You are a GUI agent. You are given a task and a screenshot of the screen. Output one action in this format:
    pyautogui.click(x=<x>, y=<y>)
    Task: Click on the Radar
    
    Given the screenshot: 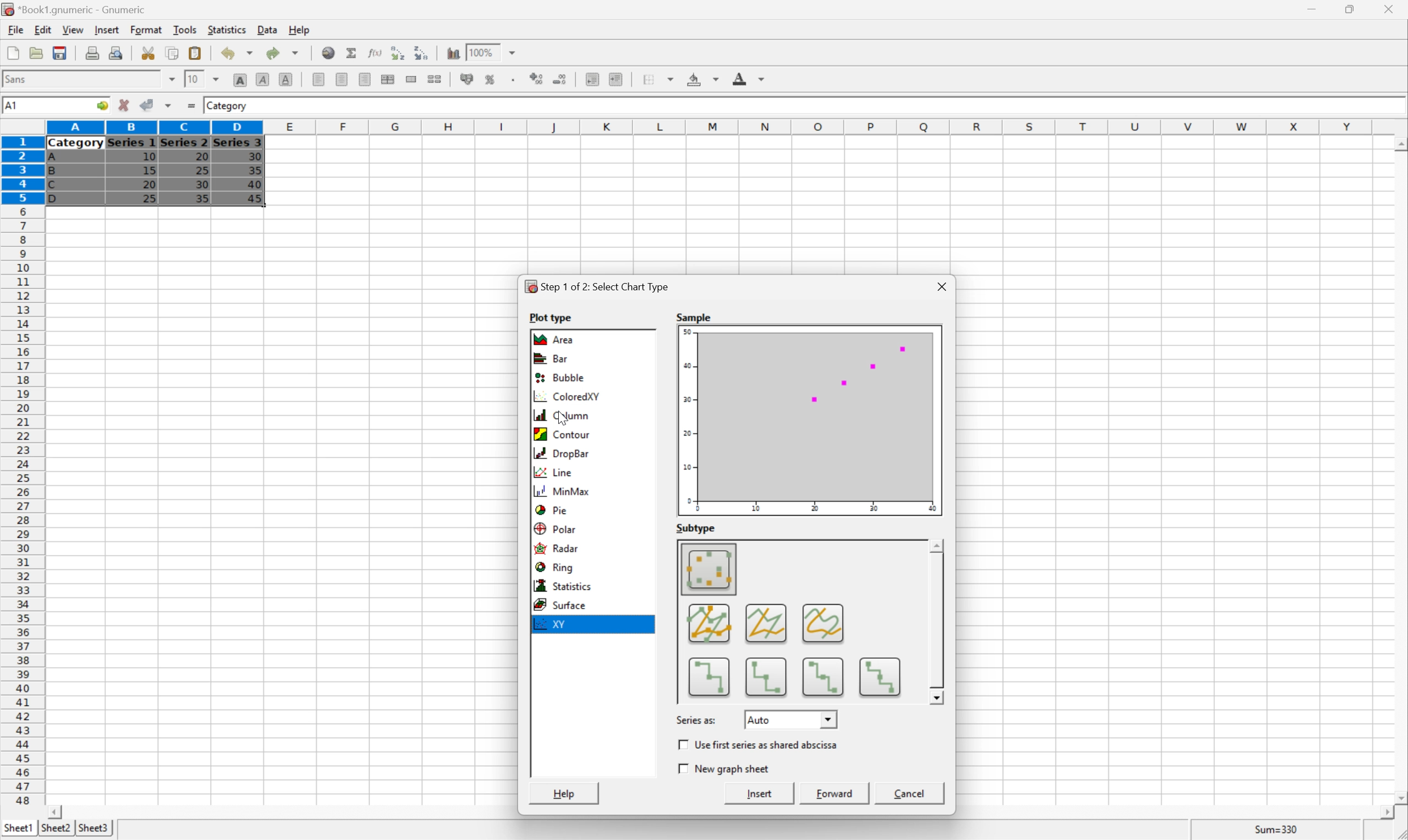 What is the action you would take?
    pyautogui.click(x=558, y=549)
    